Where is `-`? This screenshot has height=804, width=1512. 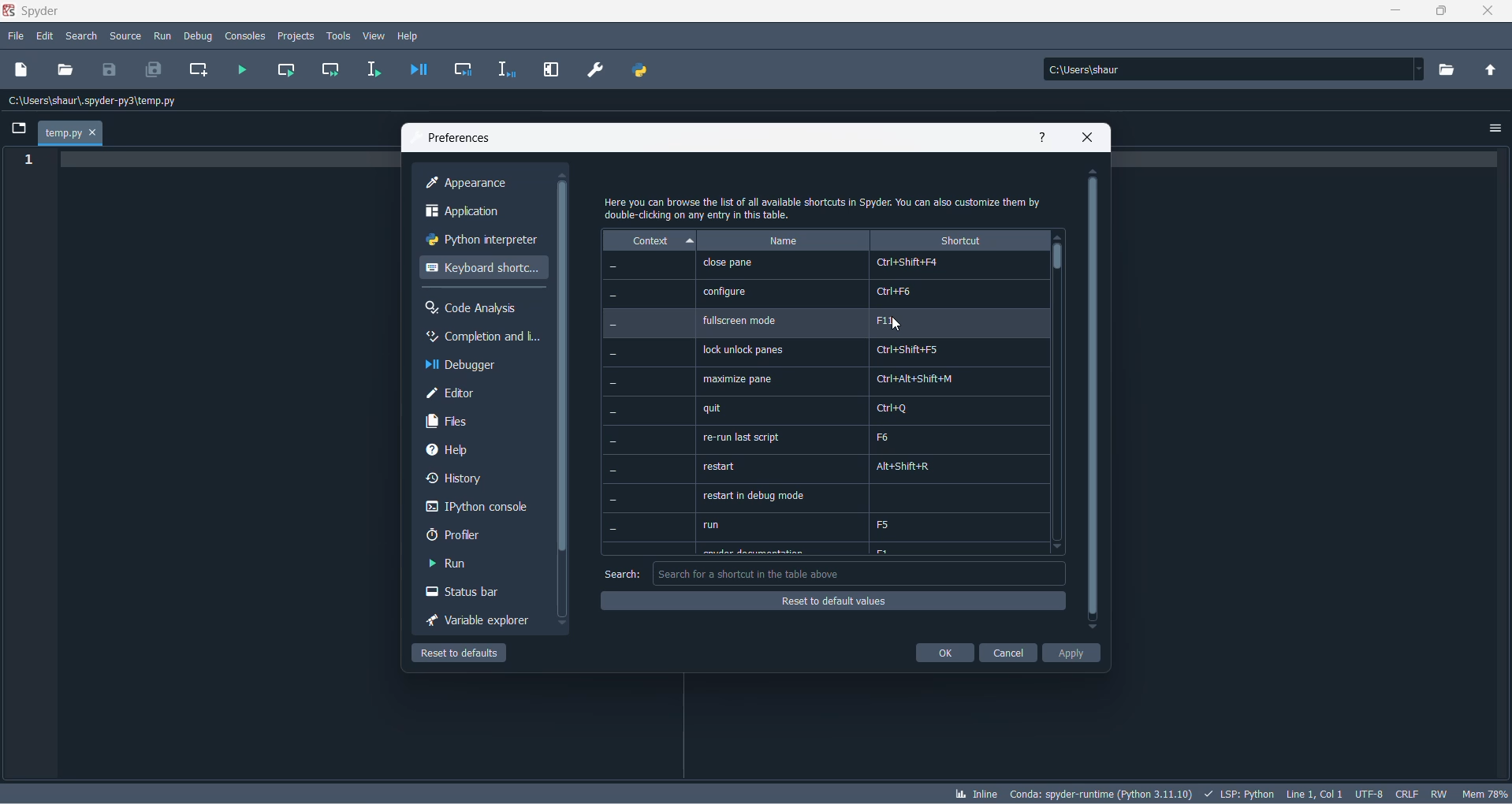
- is located at coordinates (612, 326).